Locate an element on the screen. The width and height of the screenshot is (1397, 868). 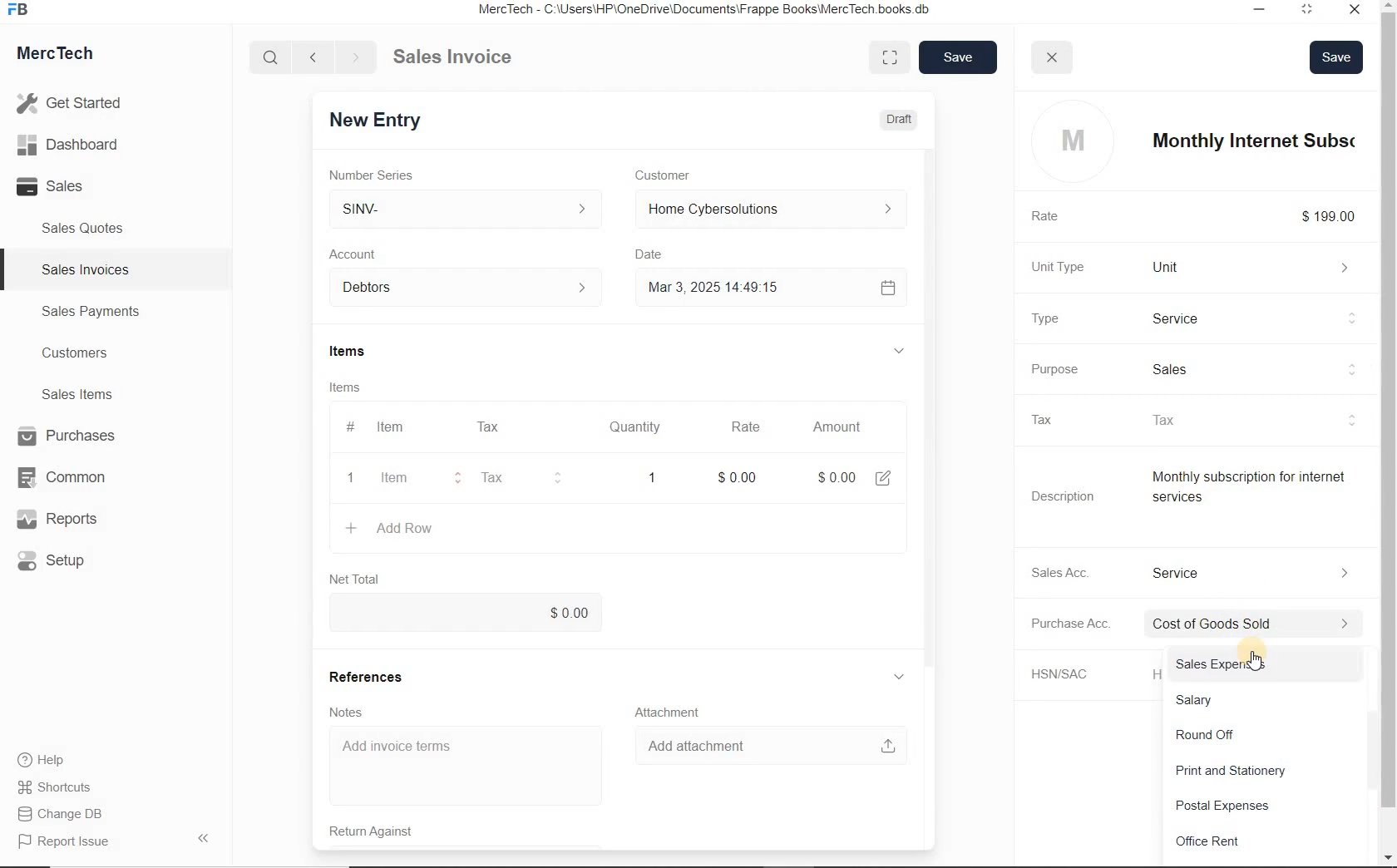
Save is located at coordinates (1337, 55).